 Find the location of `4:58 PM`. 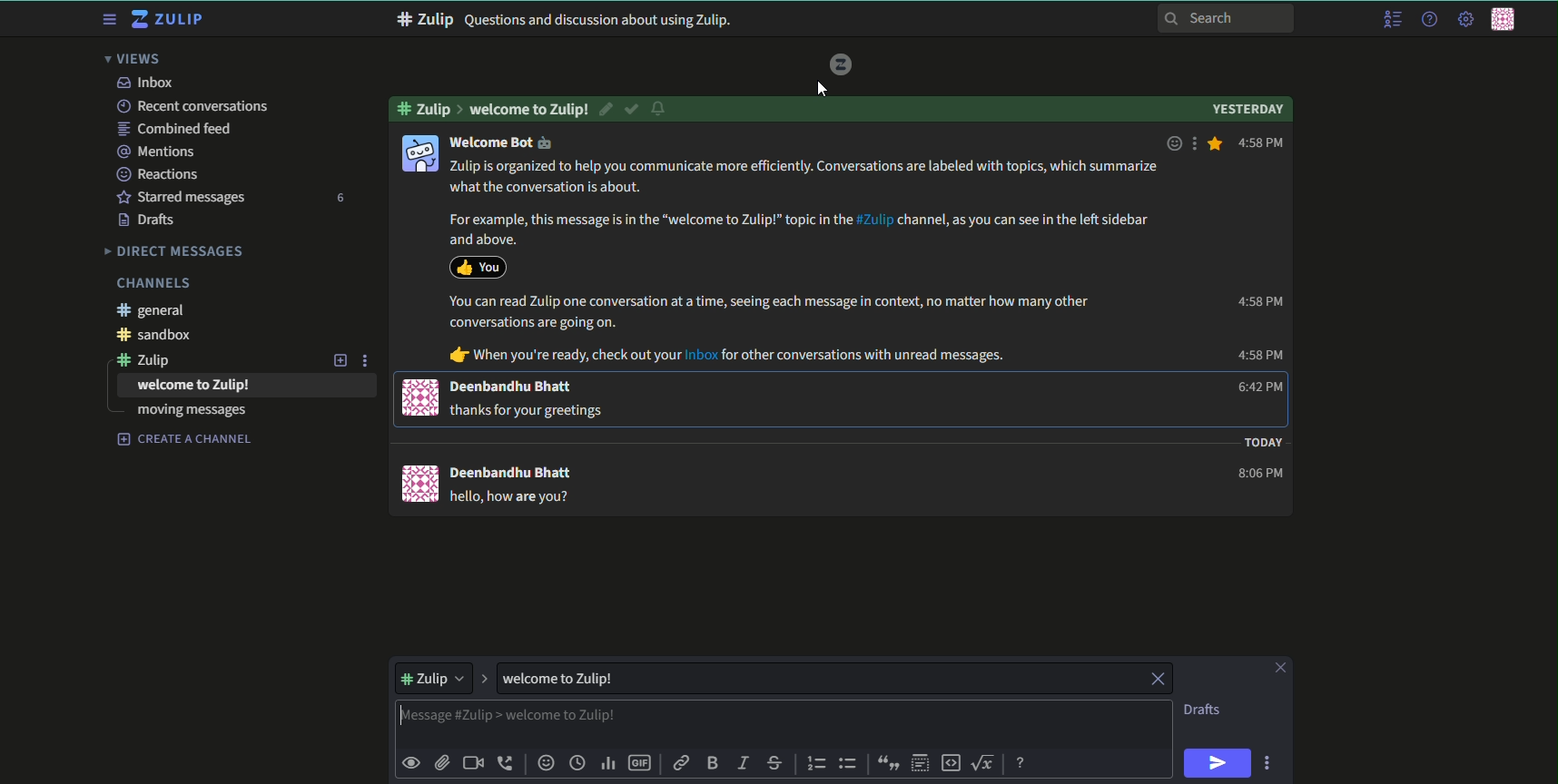

4:58 PM is located at coordinates (1258, 301).